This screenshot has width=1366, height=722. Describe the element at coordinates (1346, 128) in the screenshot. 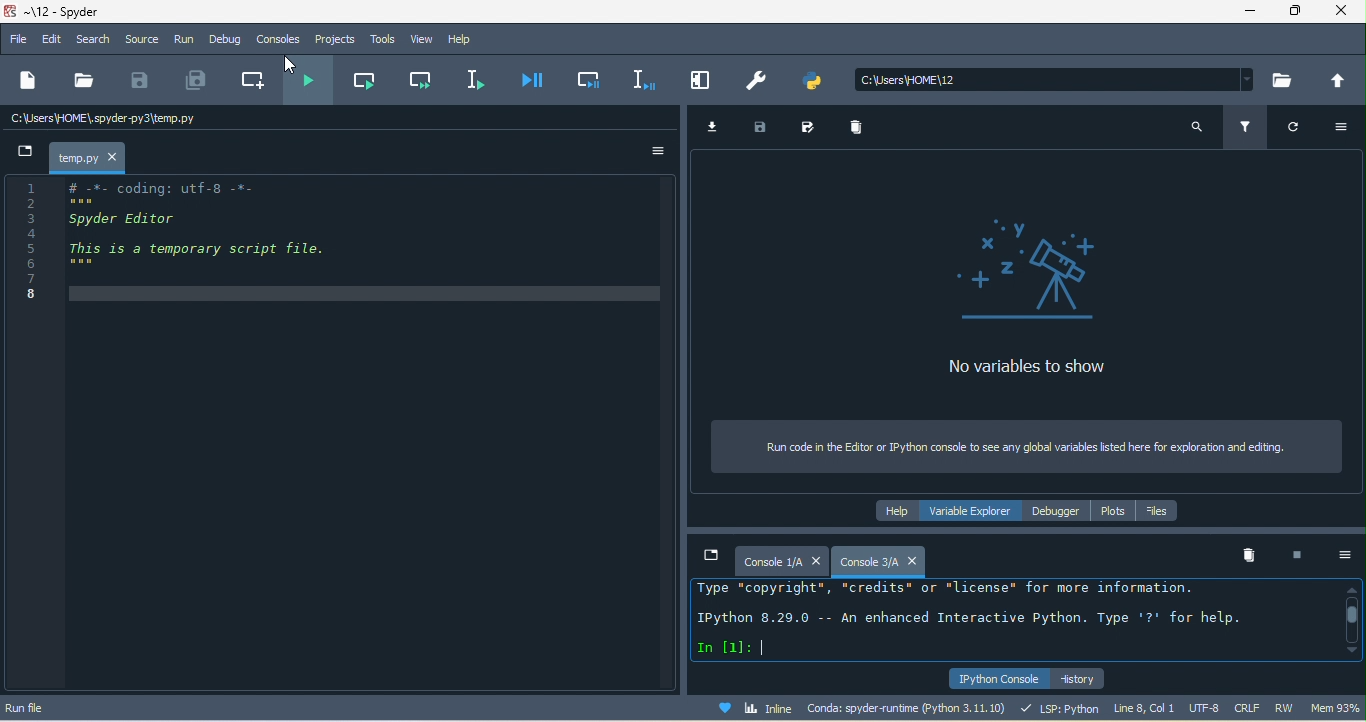

I see `option` at that location.